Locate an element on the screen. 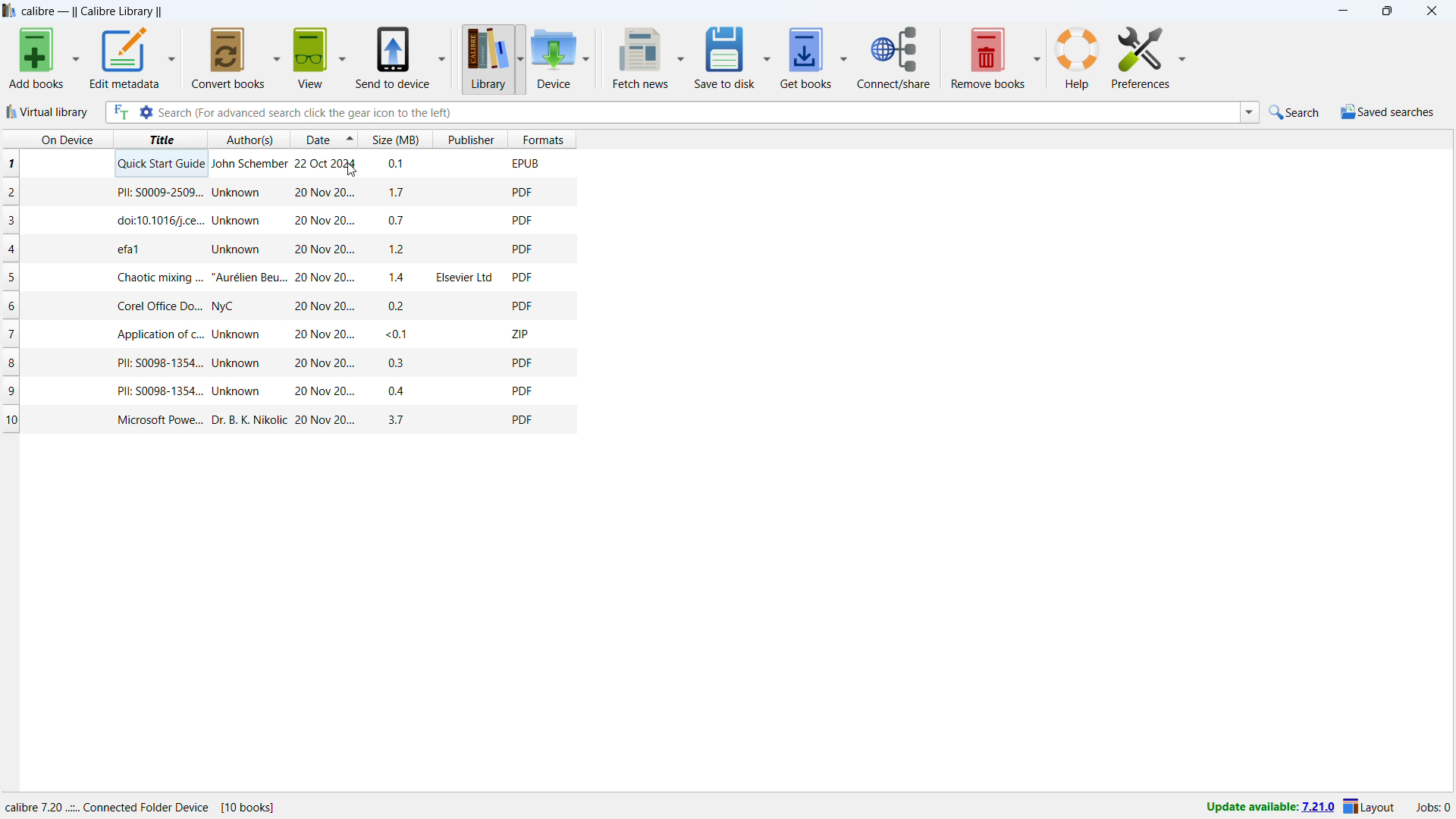  sort by size is located at coordinates (395, 139).